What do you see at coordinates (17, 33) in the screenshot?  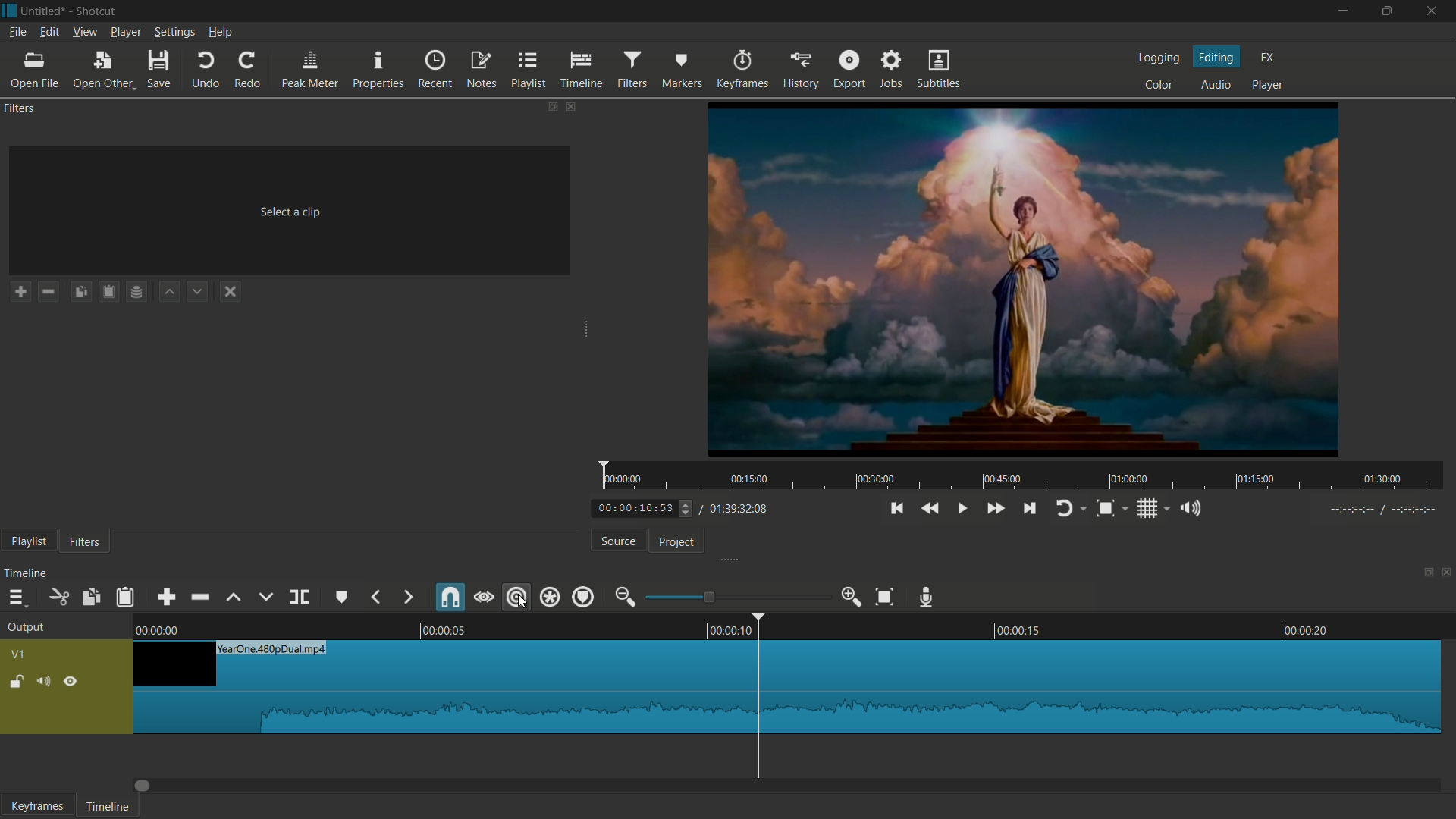 I see `file menu` at bounding box center [17, 33].